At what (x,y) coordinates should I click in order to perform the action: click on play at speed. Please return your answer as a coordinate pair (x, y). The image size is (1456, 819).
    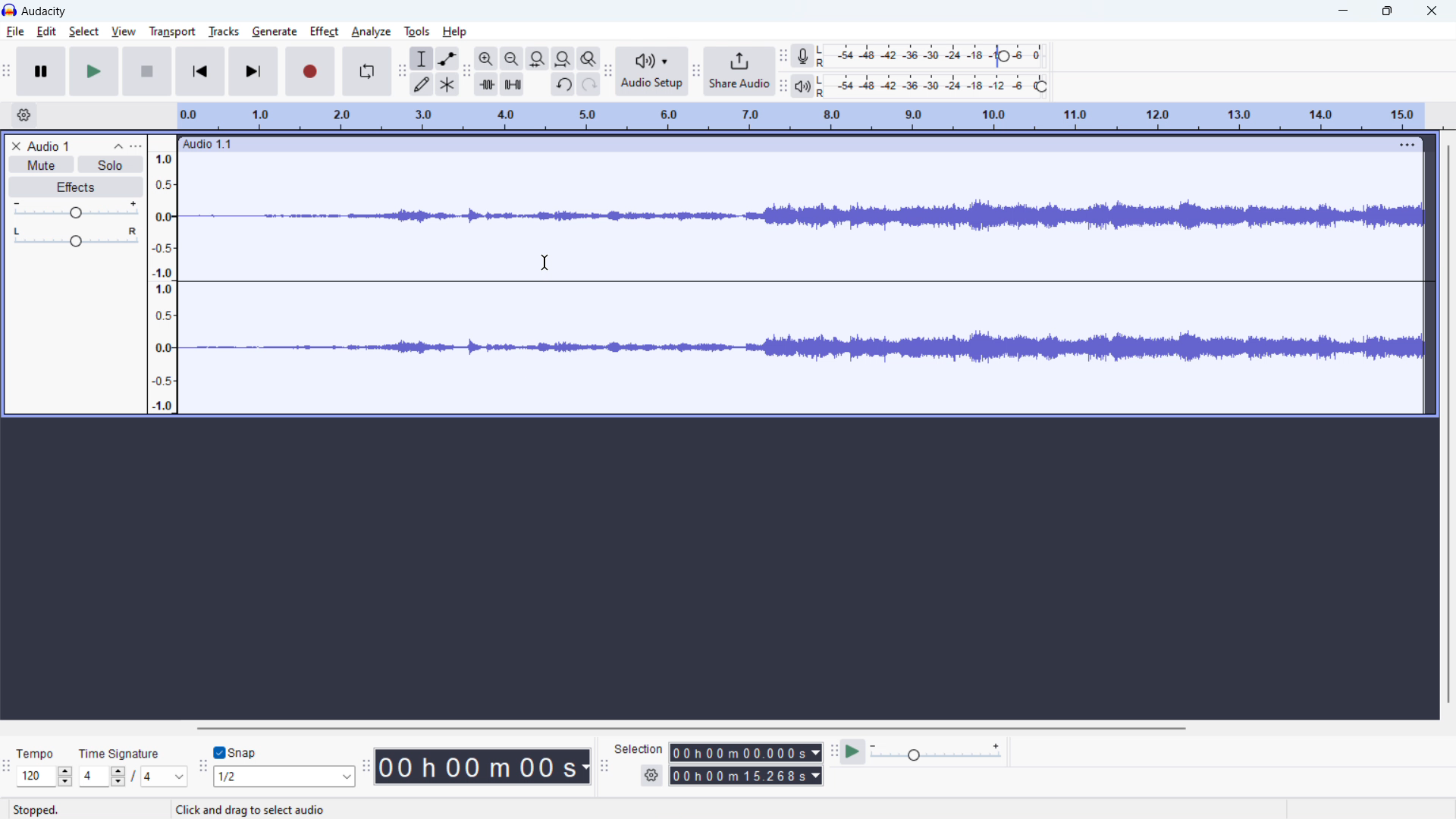
    Looking at the image, I should click on (852, 752).